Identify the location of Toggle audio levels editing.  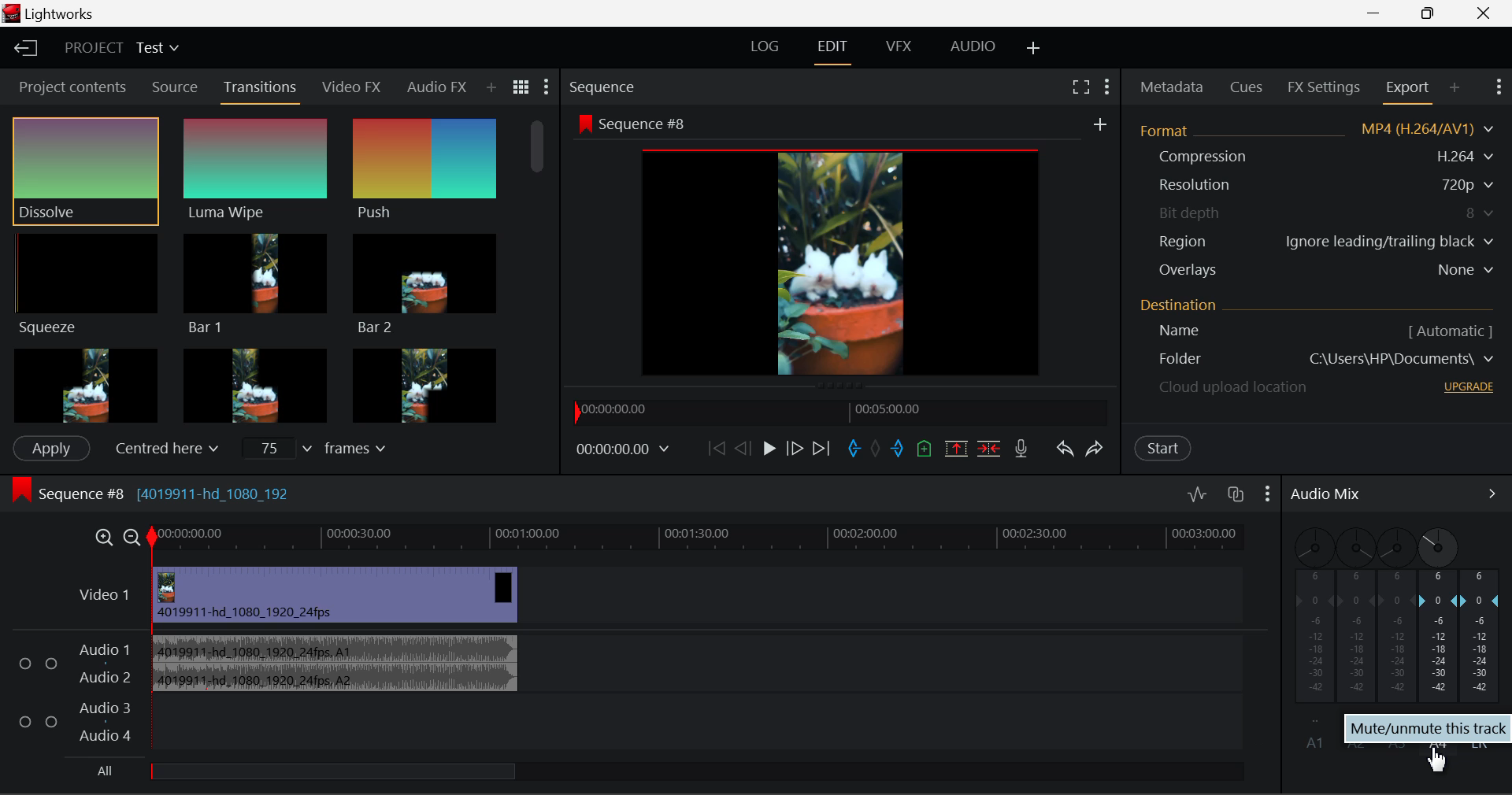
(1195, 498).